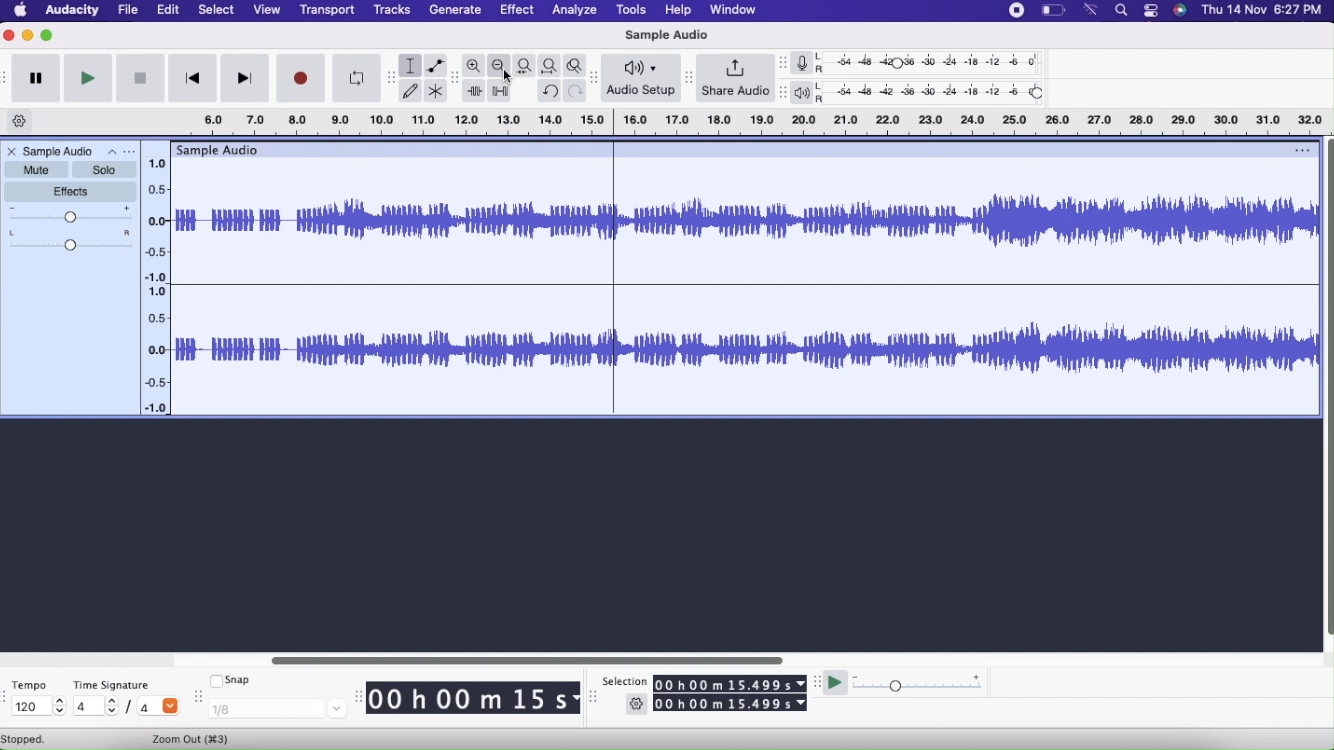 This screenshot has height=750, width=1334. What do you see at coordinates (410, 92) in the screenshot?
I see `Draw Tool` at bounding box center [410, 92].